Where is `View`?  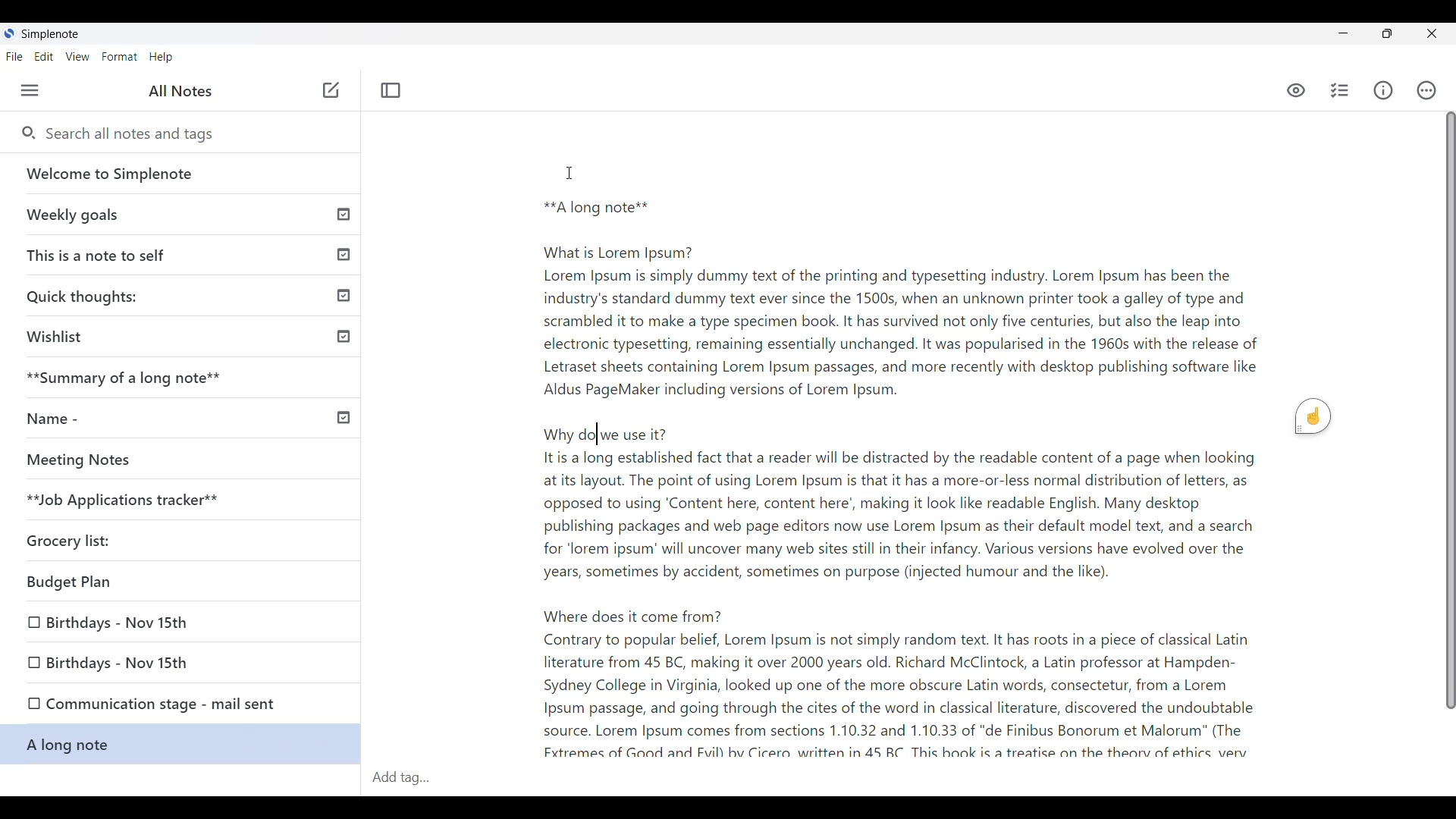 View is located at coordinates (78, 57).